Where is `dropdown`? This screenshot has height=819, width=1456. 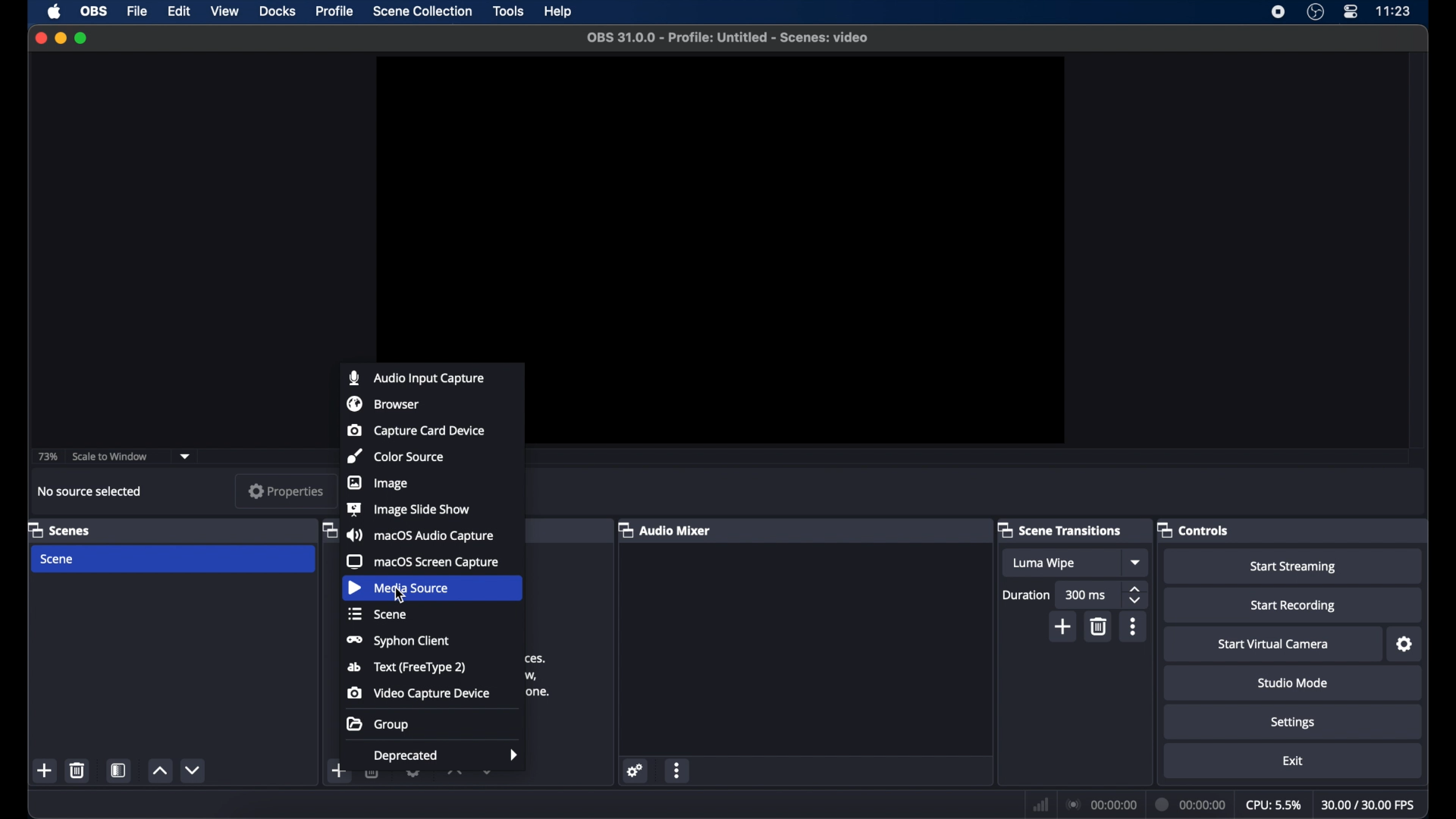 dropdown is located at coordinates (1137, 562).